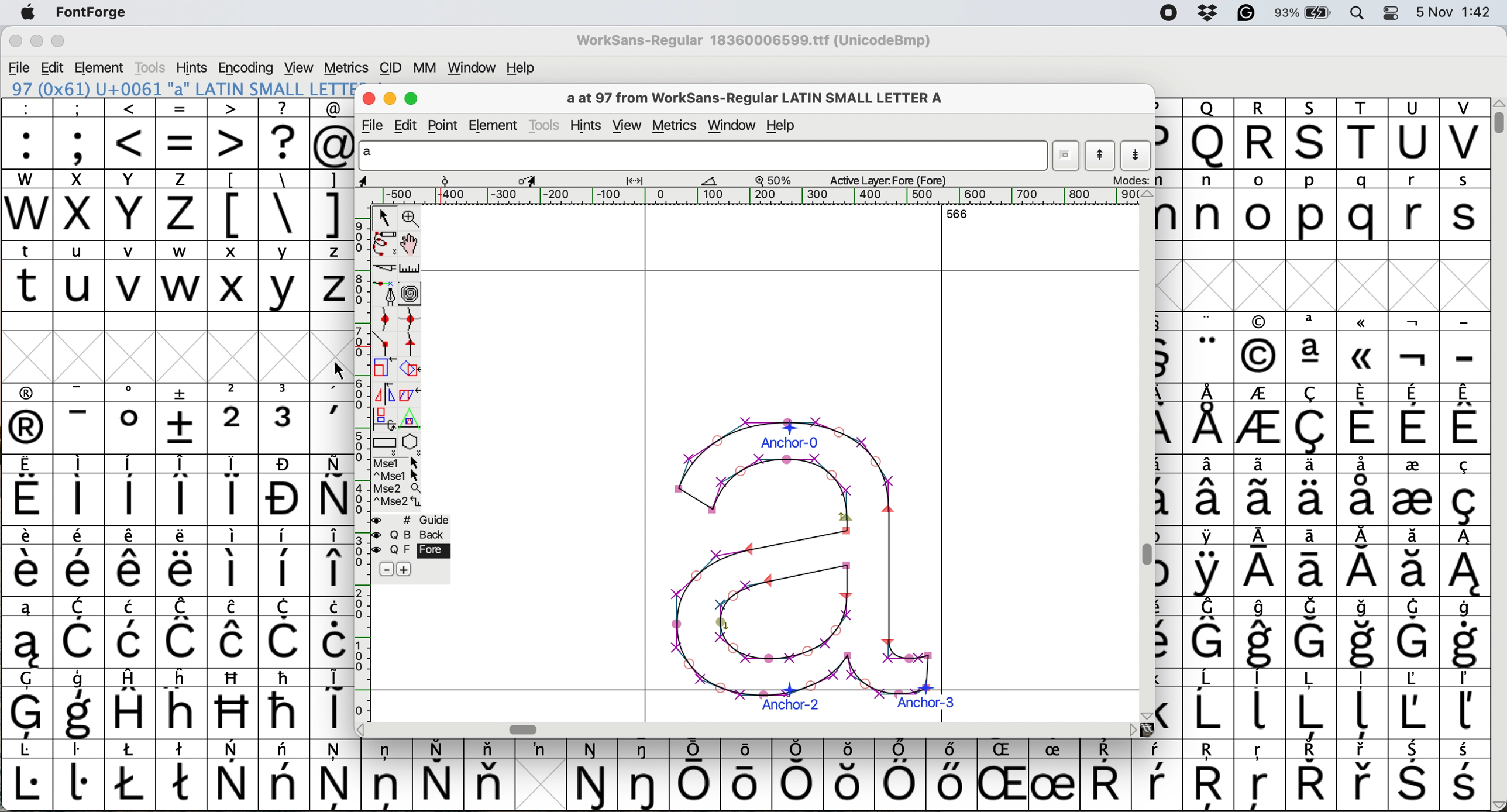  What do you see at coordinates (335, 370) in the screenshot?
I see `cursor` at bounding box center [335, 370].